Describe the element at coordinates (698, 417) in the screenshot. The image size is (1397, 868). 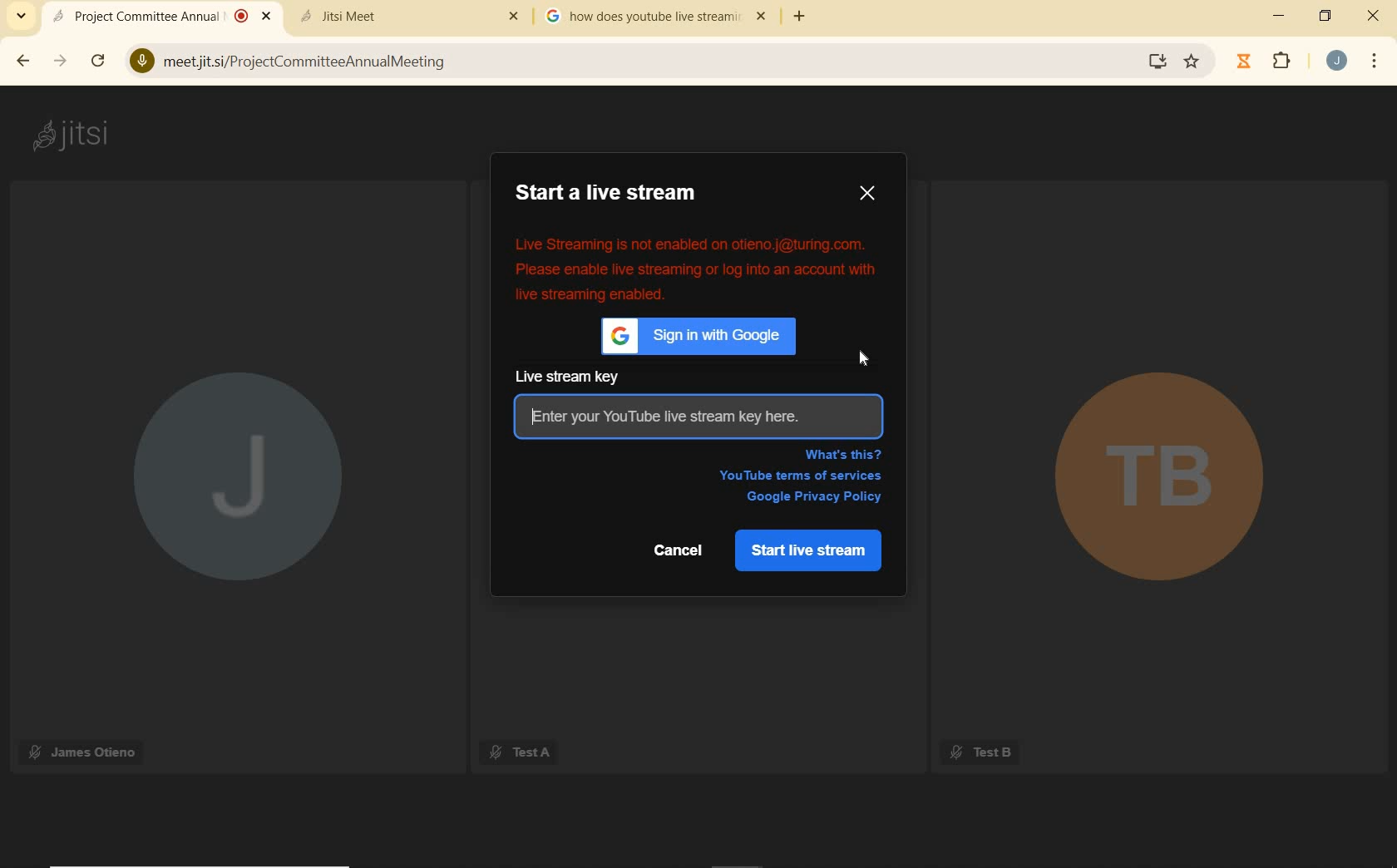
I see `enter your YouTube live stream key here` at that location.